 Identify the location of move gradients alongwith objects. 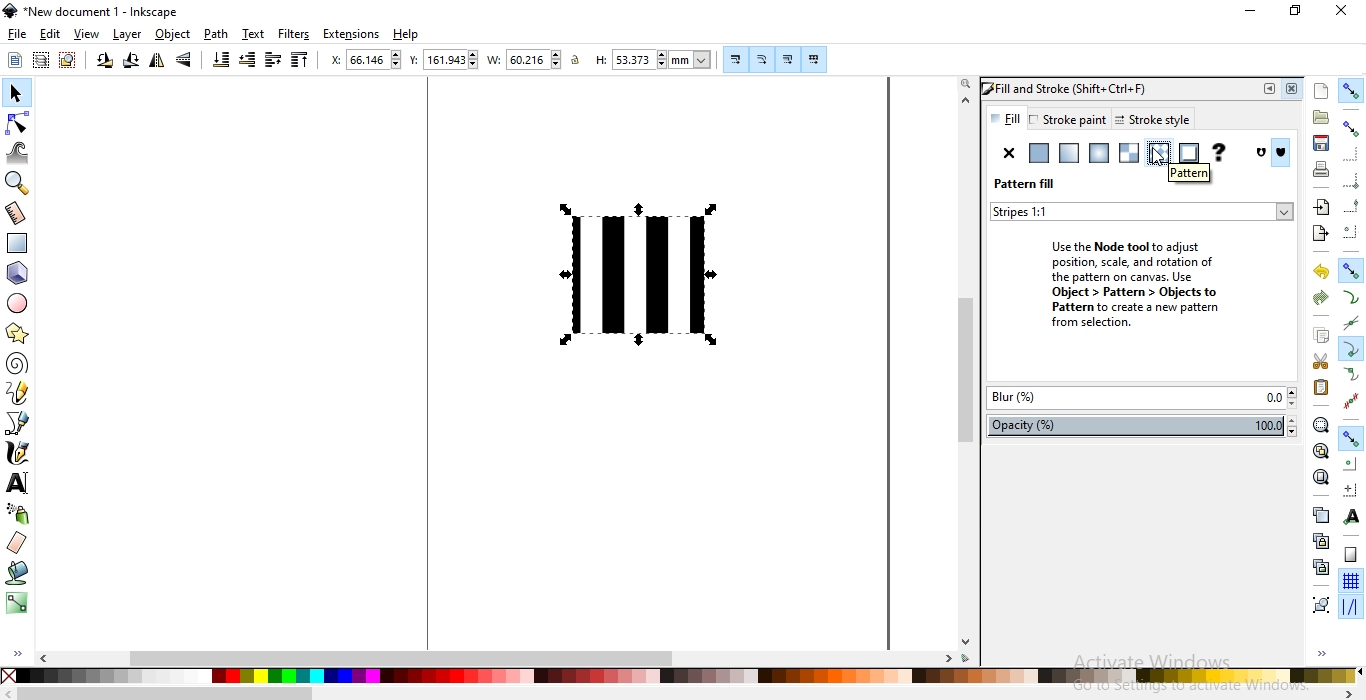
(787, 61).